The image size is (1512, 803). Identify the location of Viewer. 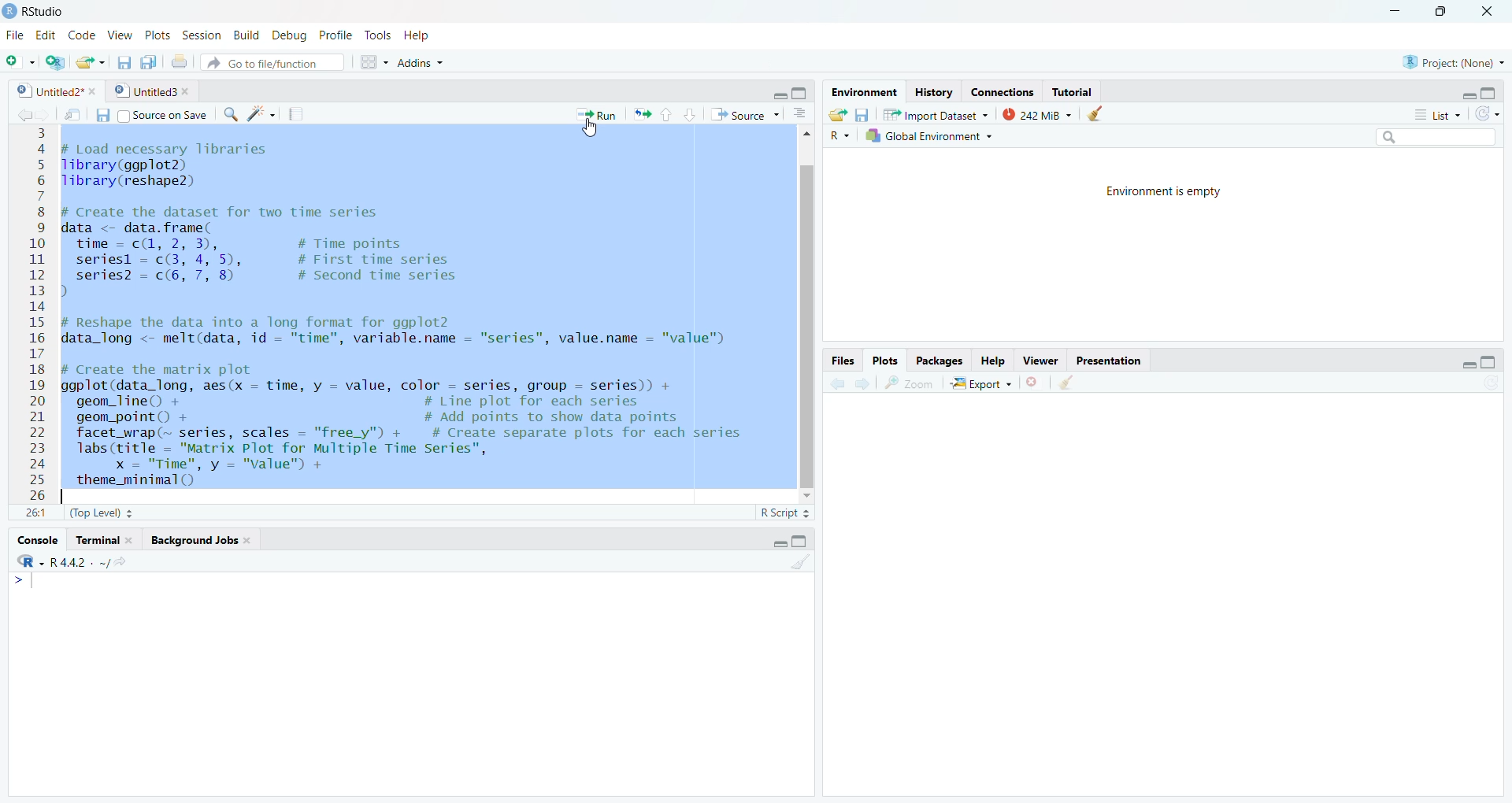
(1038, 358).